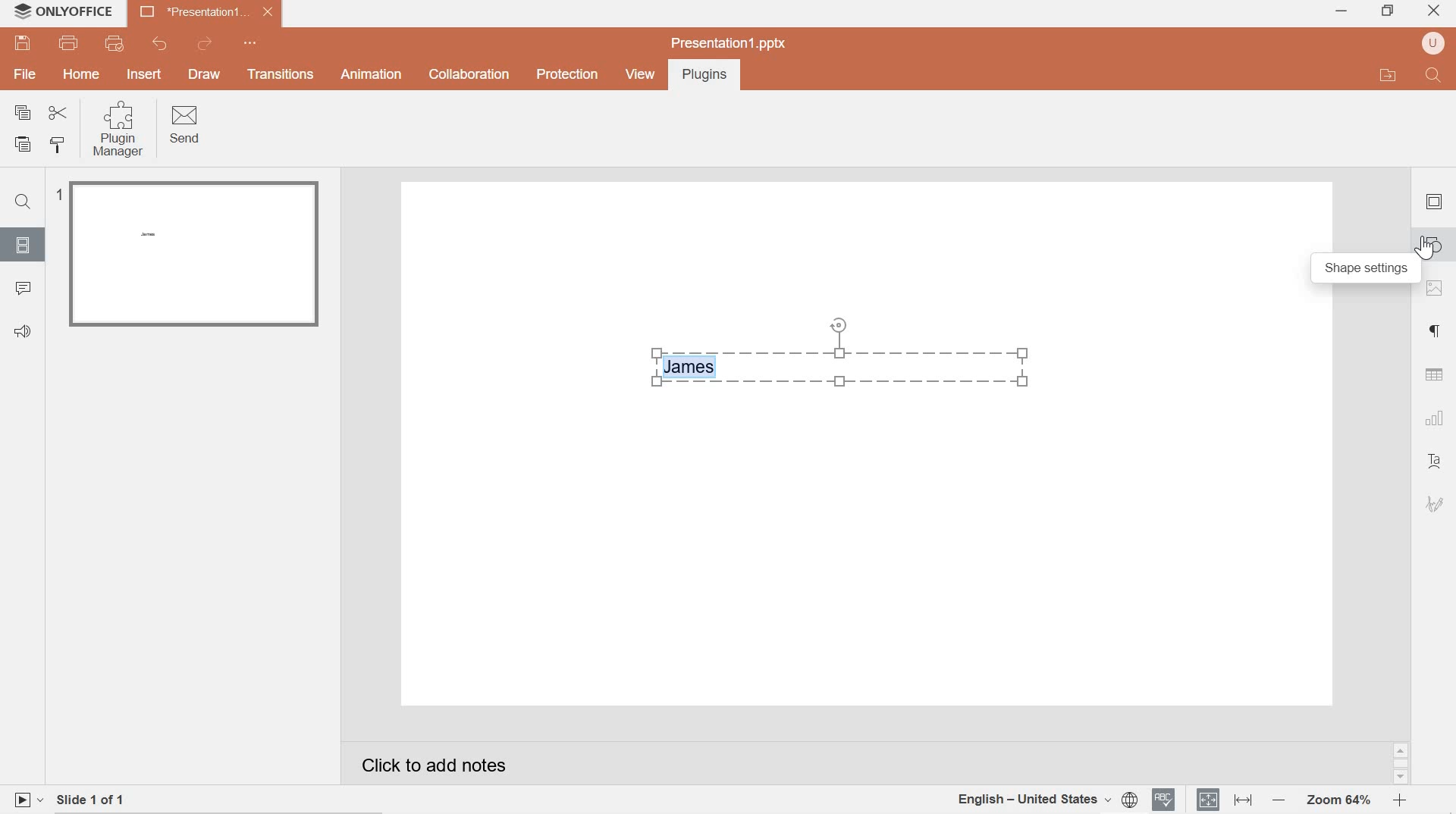 This screenshot has width=1456, height=814. I want to click on document language, so click(1046, 797).